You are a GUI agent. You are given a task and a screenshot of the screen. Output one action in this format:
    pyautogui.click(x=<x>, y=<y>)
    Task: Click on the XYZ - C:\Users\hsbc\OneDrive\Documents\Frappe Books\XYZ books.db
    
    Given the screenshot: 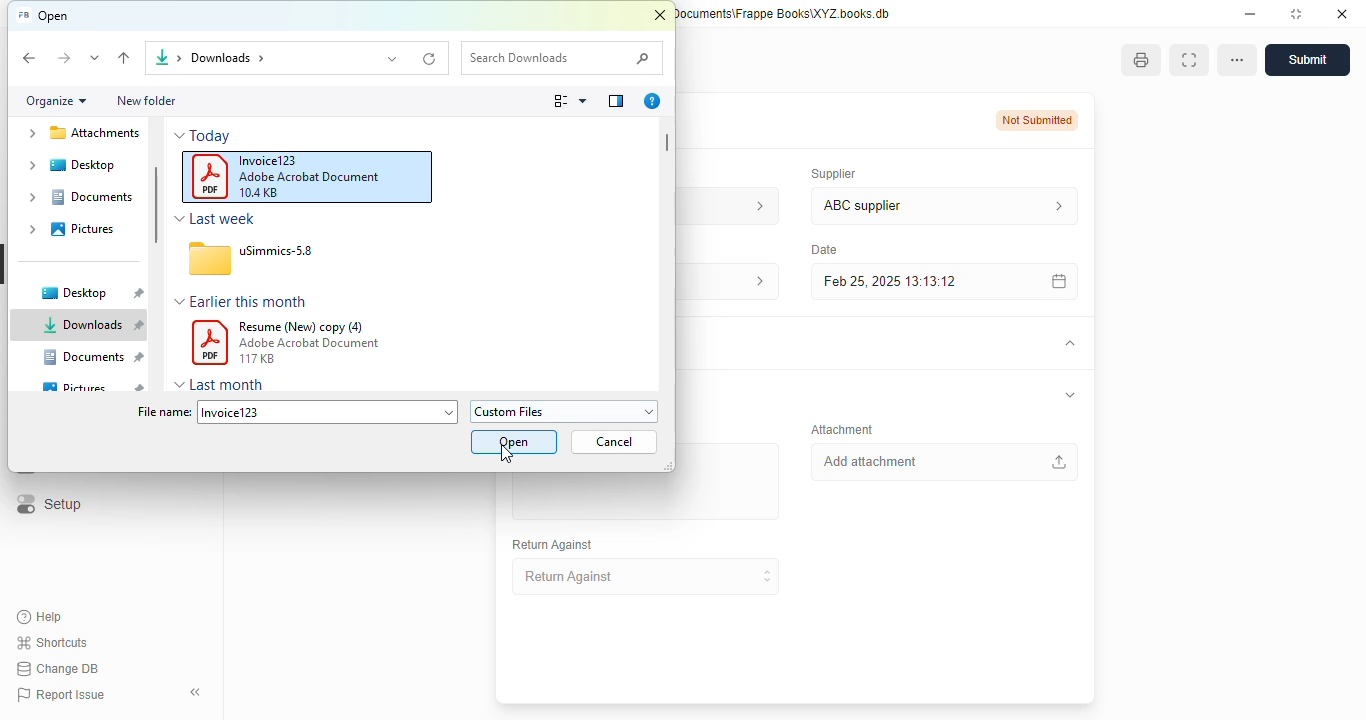 What is the action you would take?
    pyautogui.click(x=784, y=13)
    